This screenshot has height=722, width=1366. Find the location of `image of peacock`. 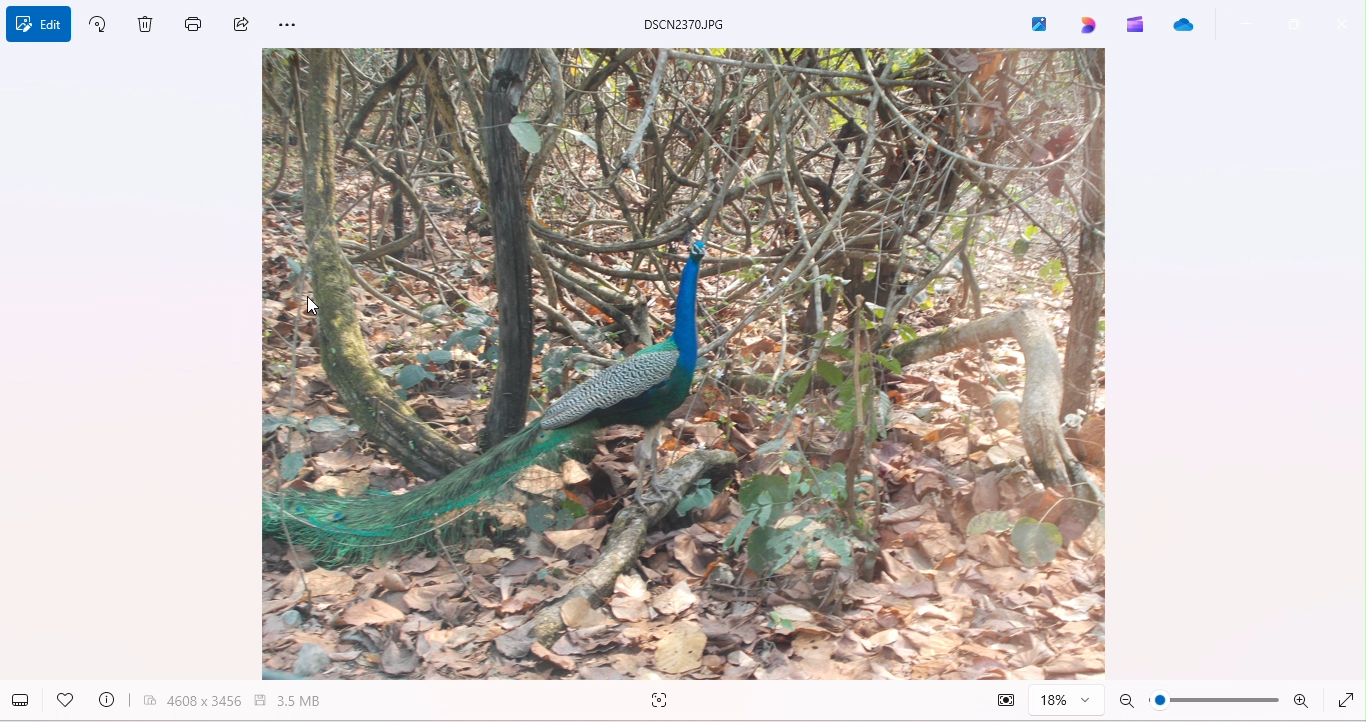

image of peacock is located at coordinates (687, 364).